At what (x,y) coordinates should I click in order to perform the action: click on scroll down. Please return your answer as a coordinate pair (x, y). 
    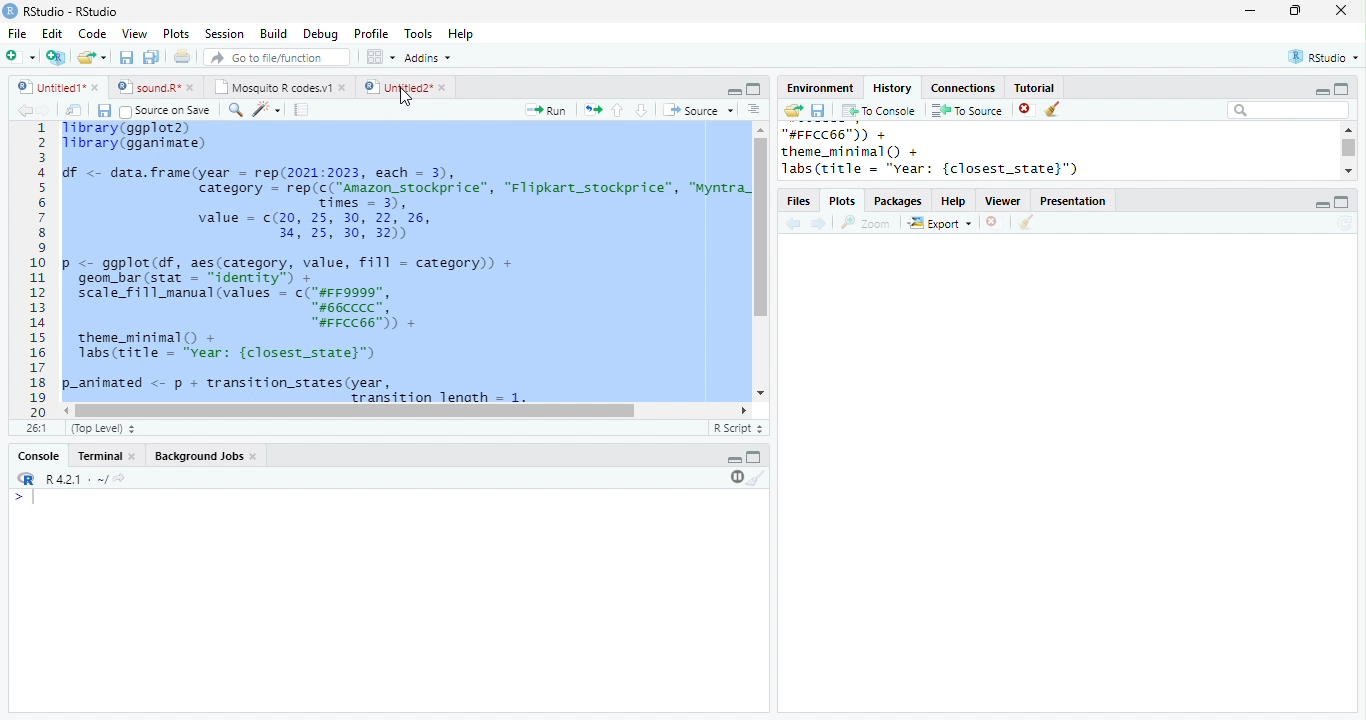
    Looking at the image, I should click on (1347, 171).